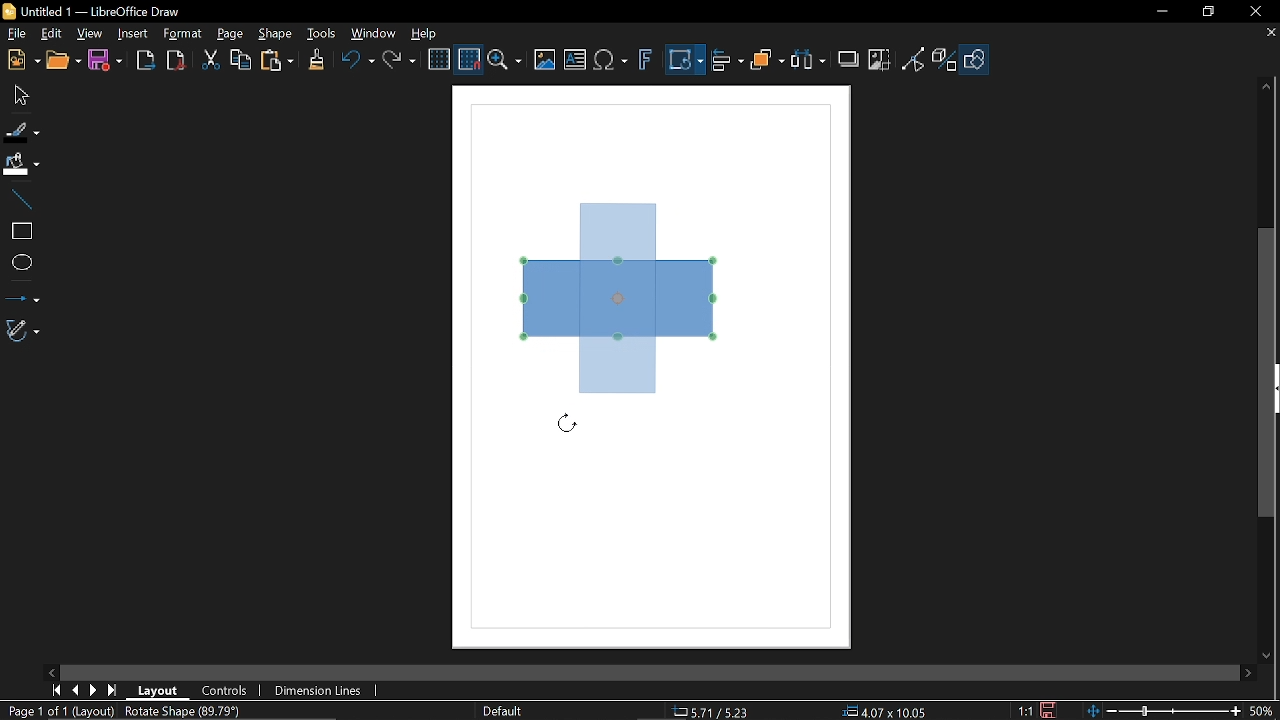 The width and height of the screenshot is (1280, 720). Describe the element at coordinates (728, 63) in the screenshot. I see `Align` at that location.